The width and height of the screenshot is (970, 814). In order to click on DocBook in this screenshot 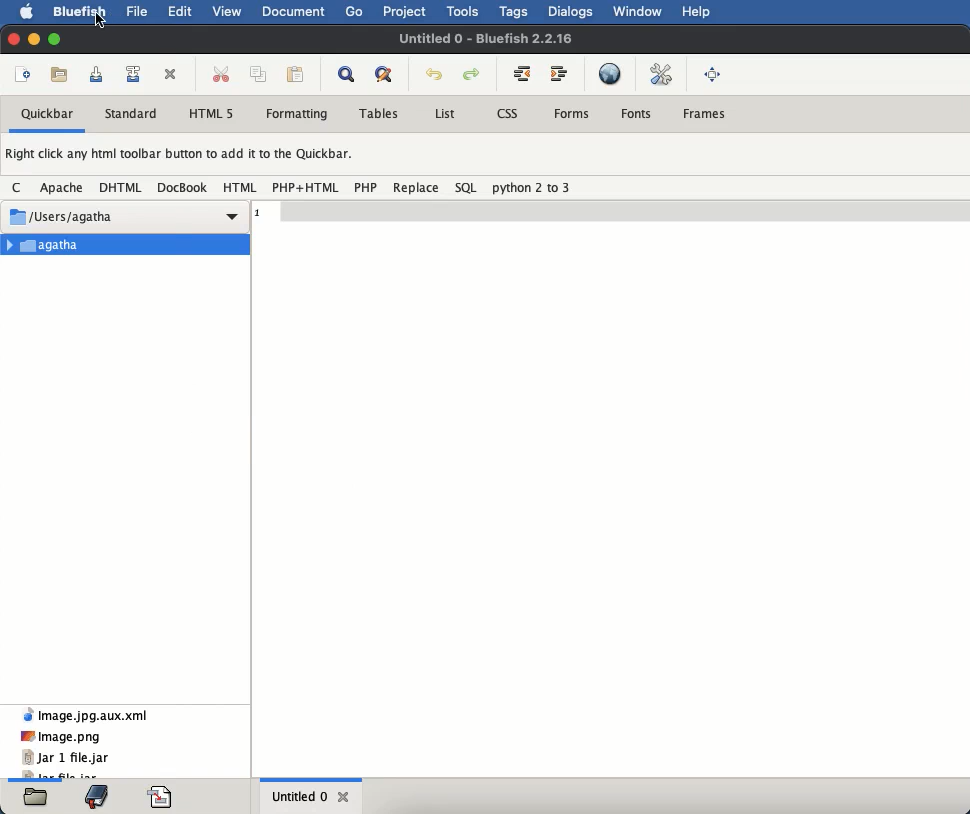, I will do `click(182, 188)`.